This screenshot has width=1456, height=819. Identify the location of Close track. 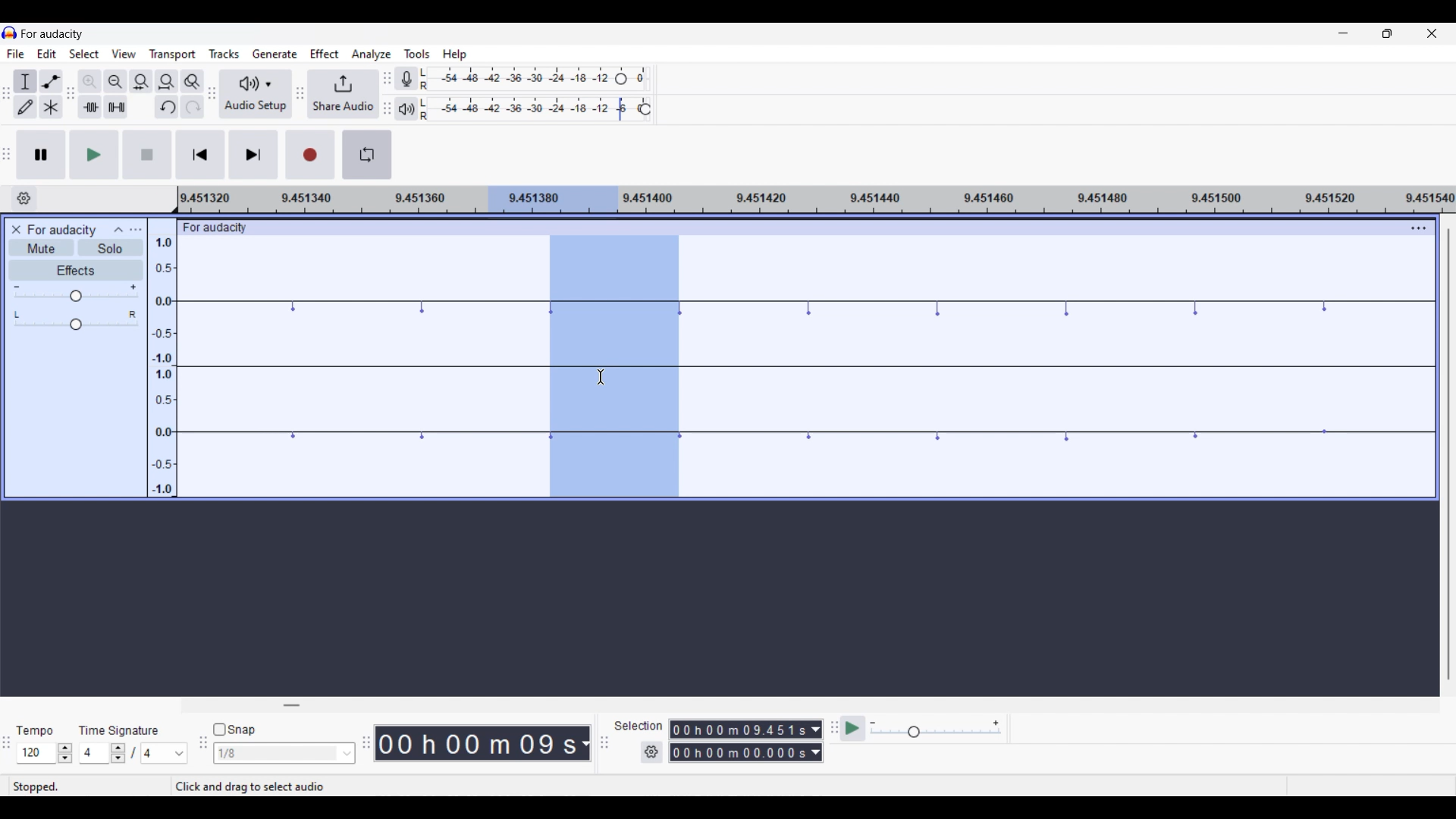
(17, 230).